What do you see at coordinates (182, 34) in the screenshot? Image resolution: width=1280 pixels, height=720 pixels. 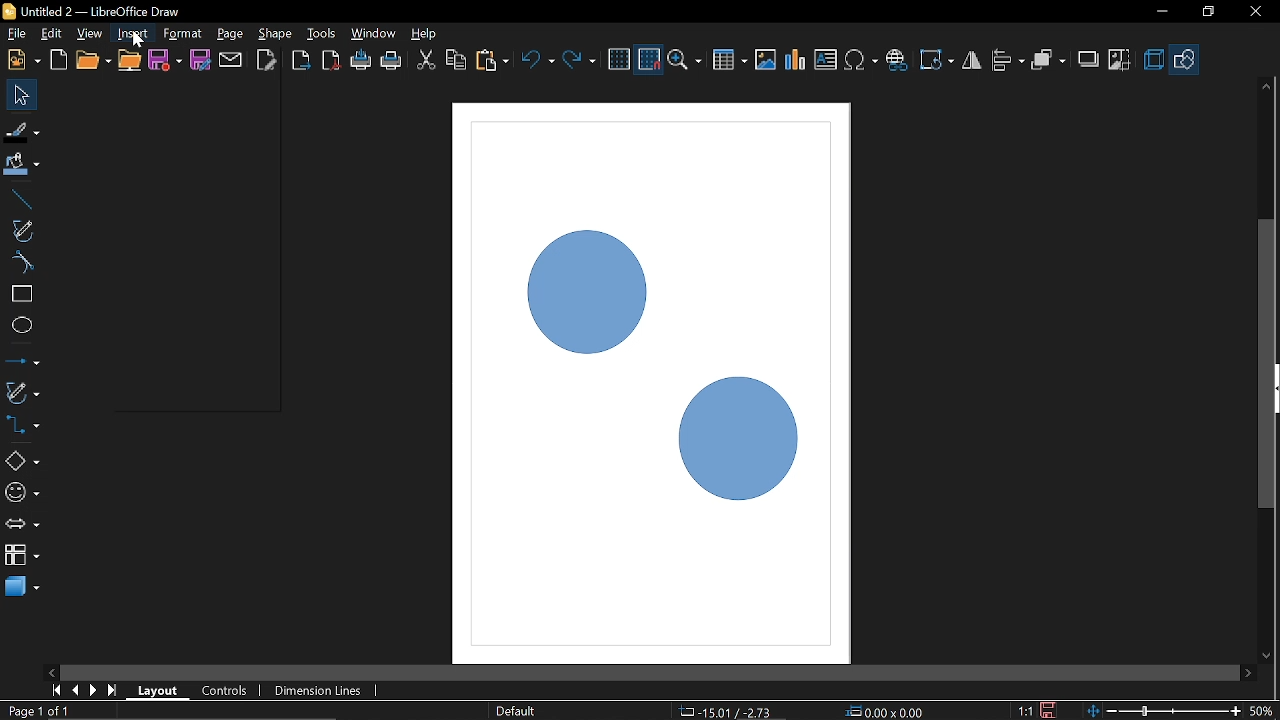 I see `Format` at bounding box center [182, 34].